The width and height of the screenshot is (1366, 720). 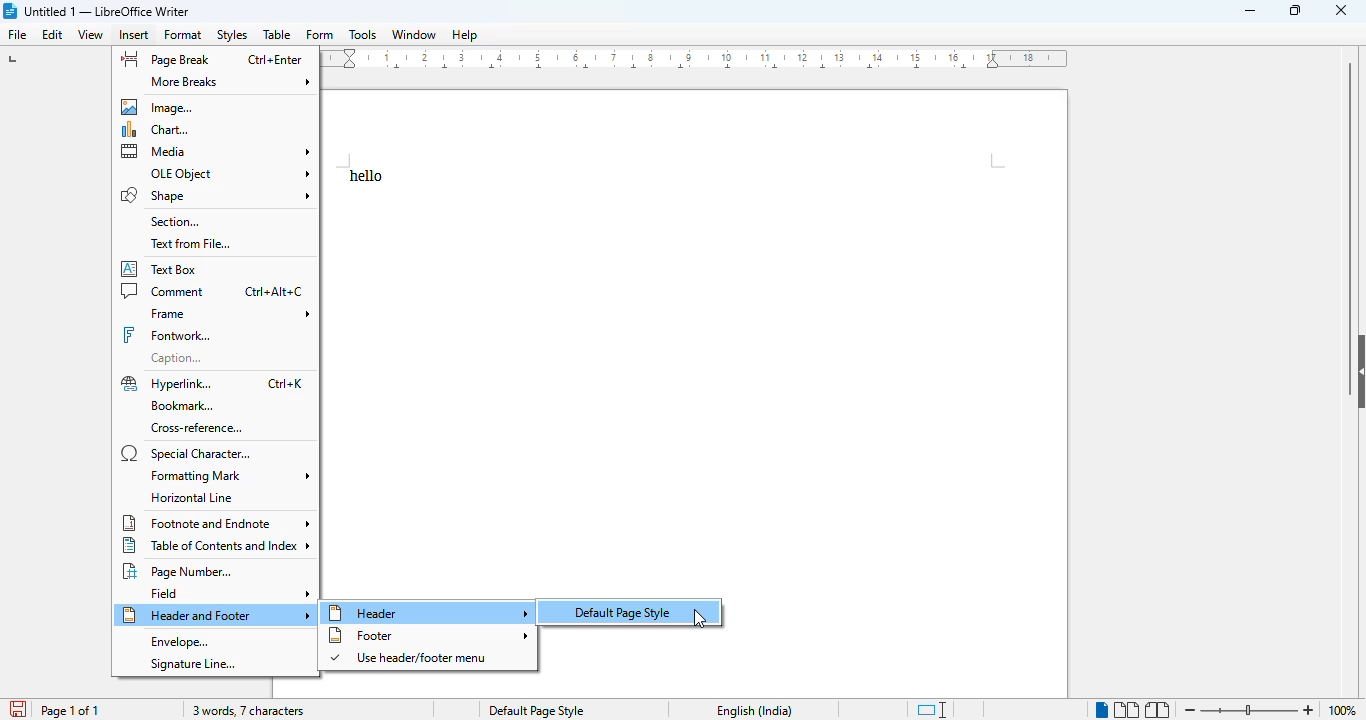 I want to click on tools, so click(x=362, y=34).